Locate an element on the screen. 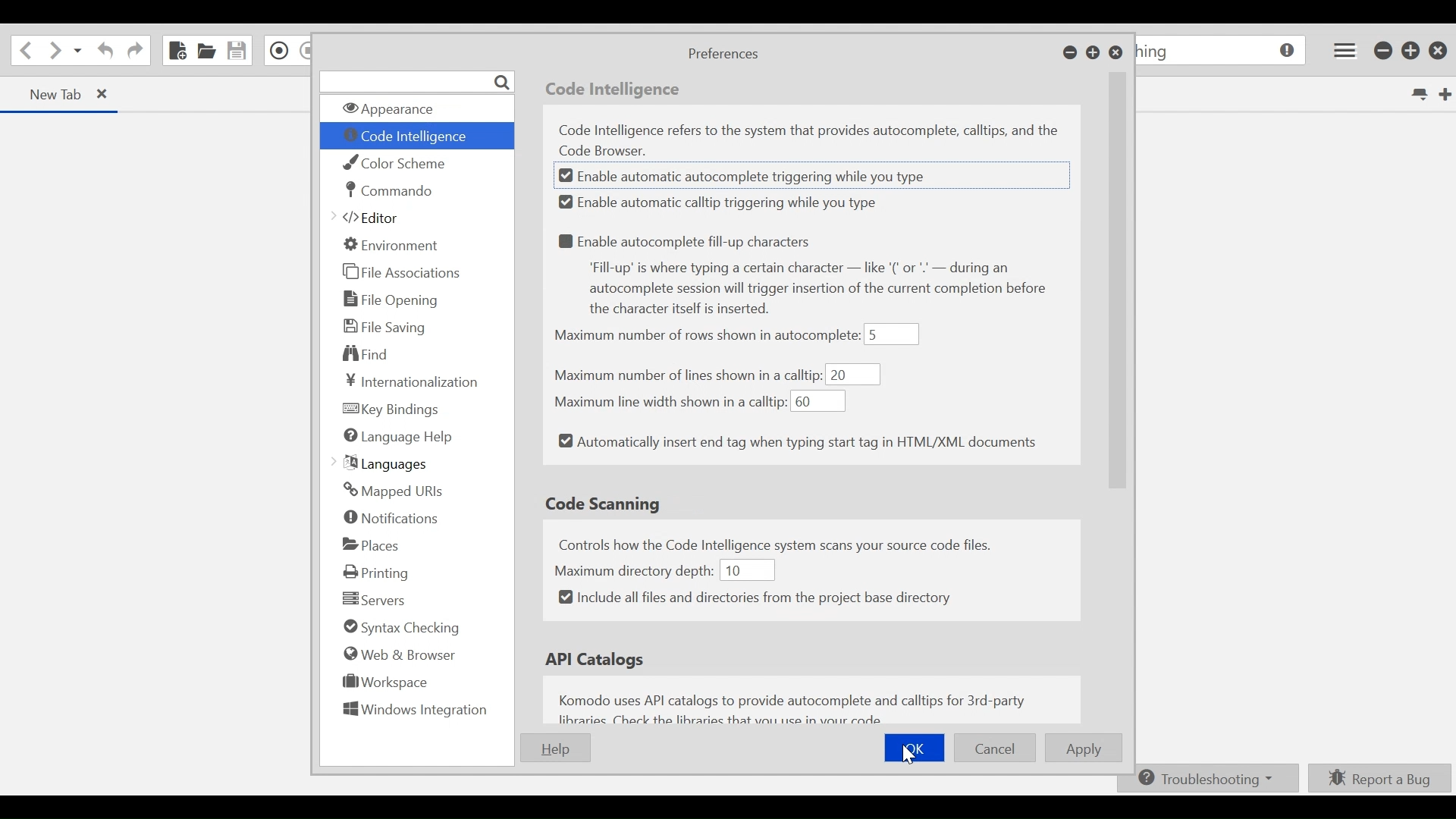 This screenshot has height=819, width=1456. minimize is located at coordinates (1384, 52).